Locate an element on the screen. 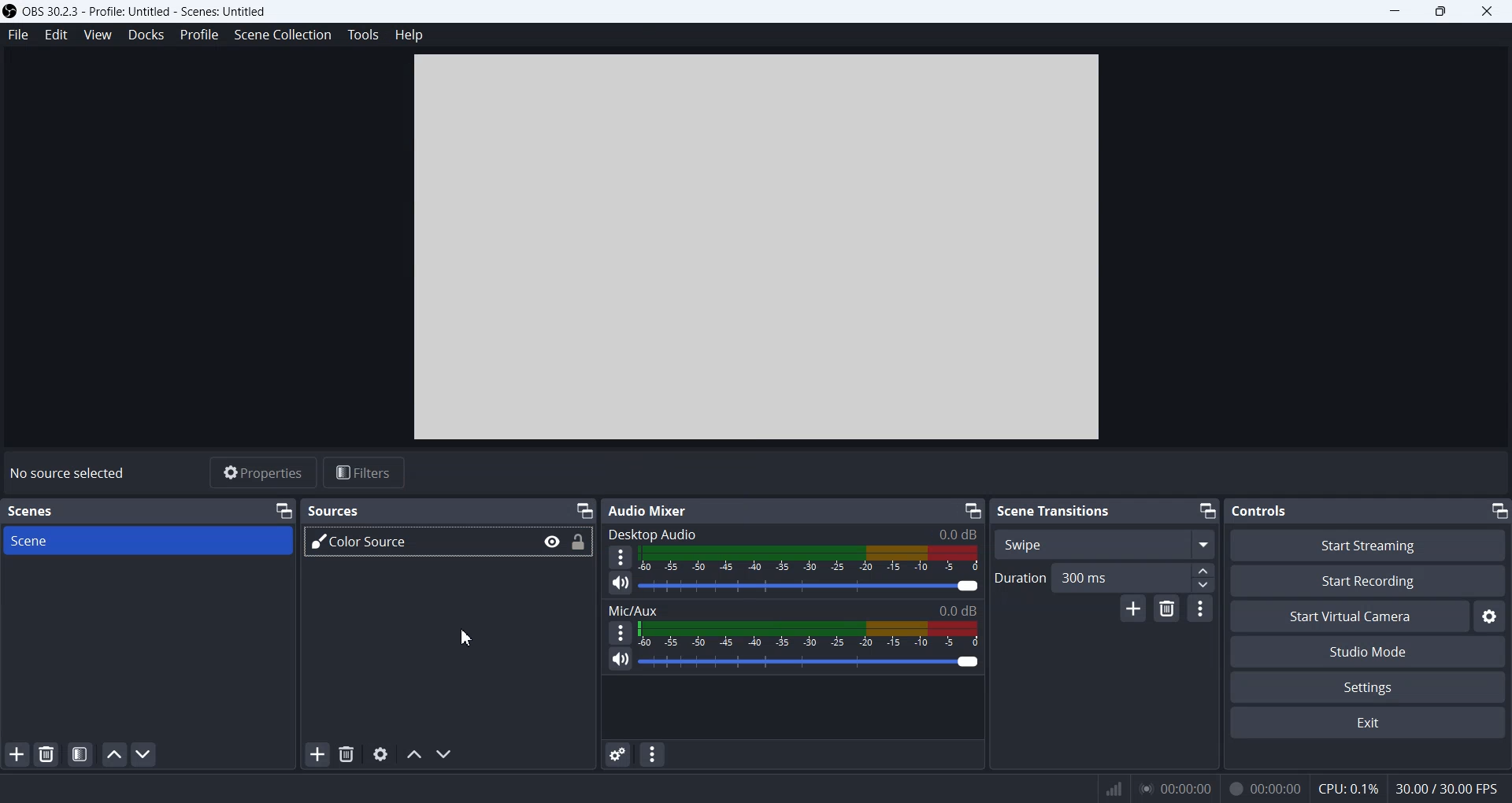 The width and height of the screenshot is (1512, 803). Scenes is located at coordinates (33, 510).